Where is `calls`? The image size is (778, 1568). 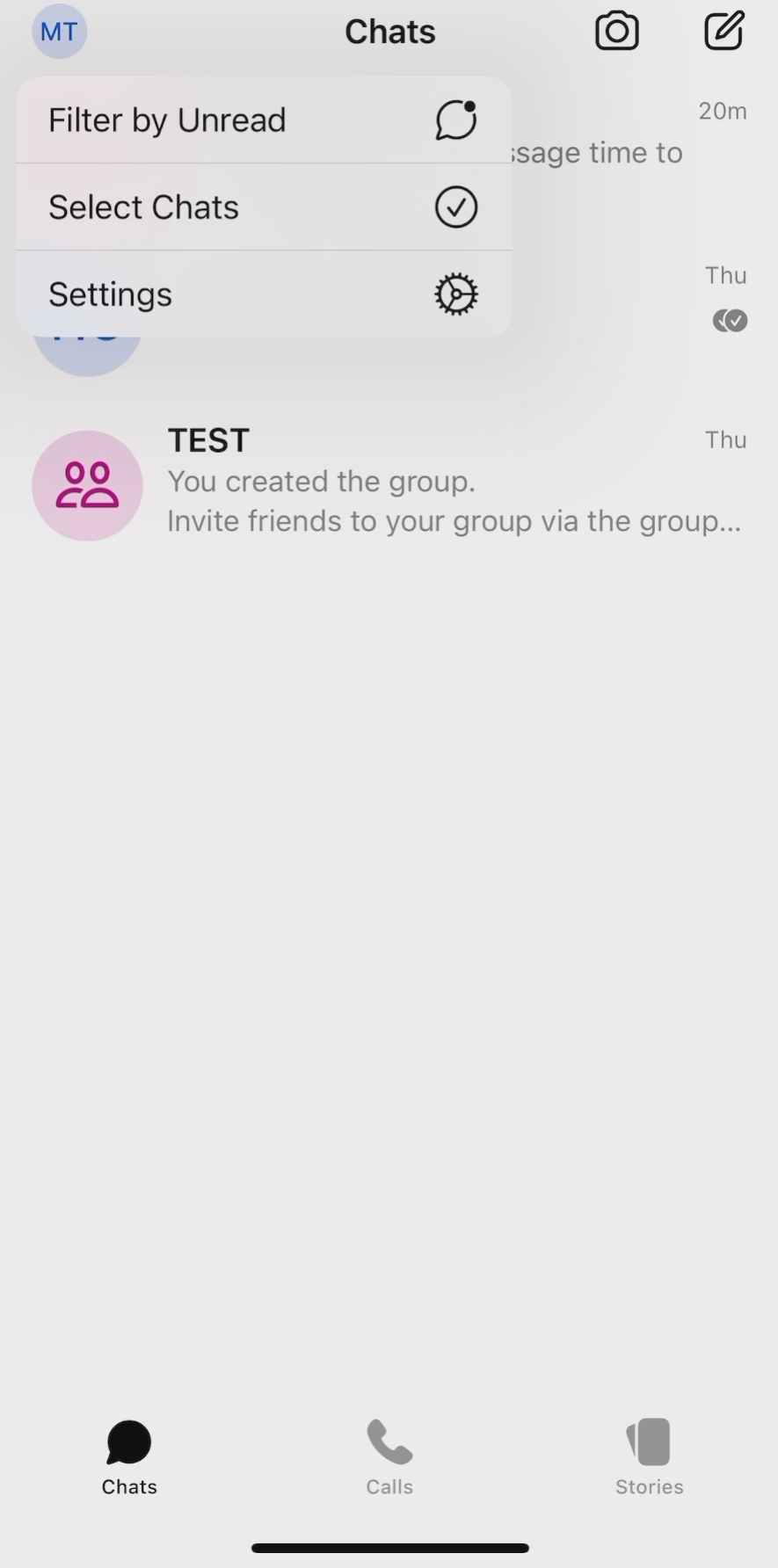
calls is located at coordinates (389, 1455).